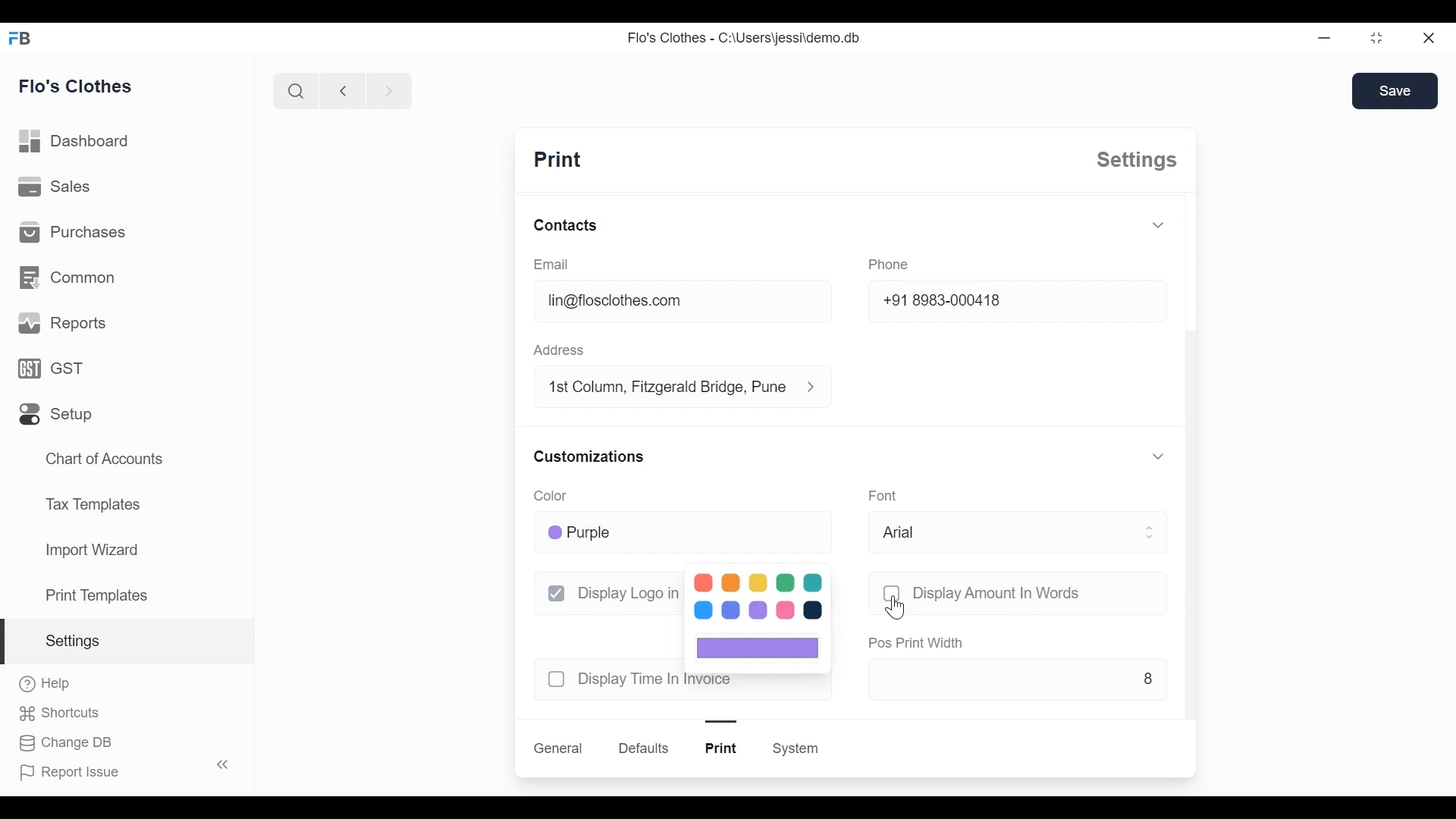 This screenshot has width=1456, height=819. What do you see at coordinates (71, 641) in the screenshot?
I see `settings` at bounding box center [71, 641].